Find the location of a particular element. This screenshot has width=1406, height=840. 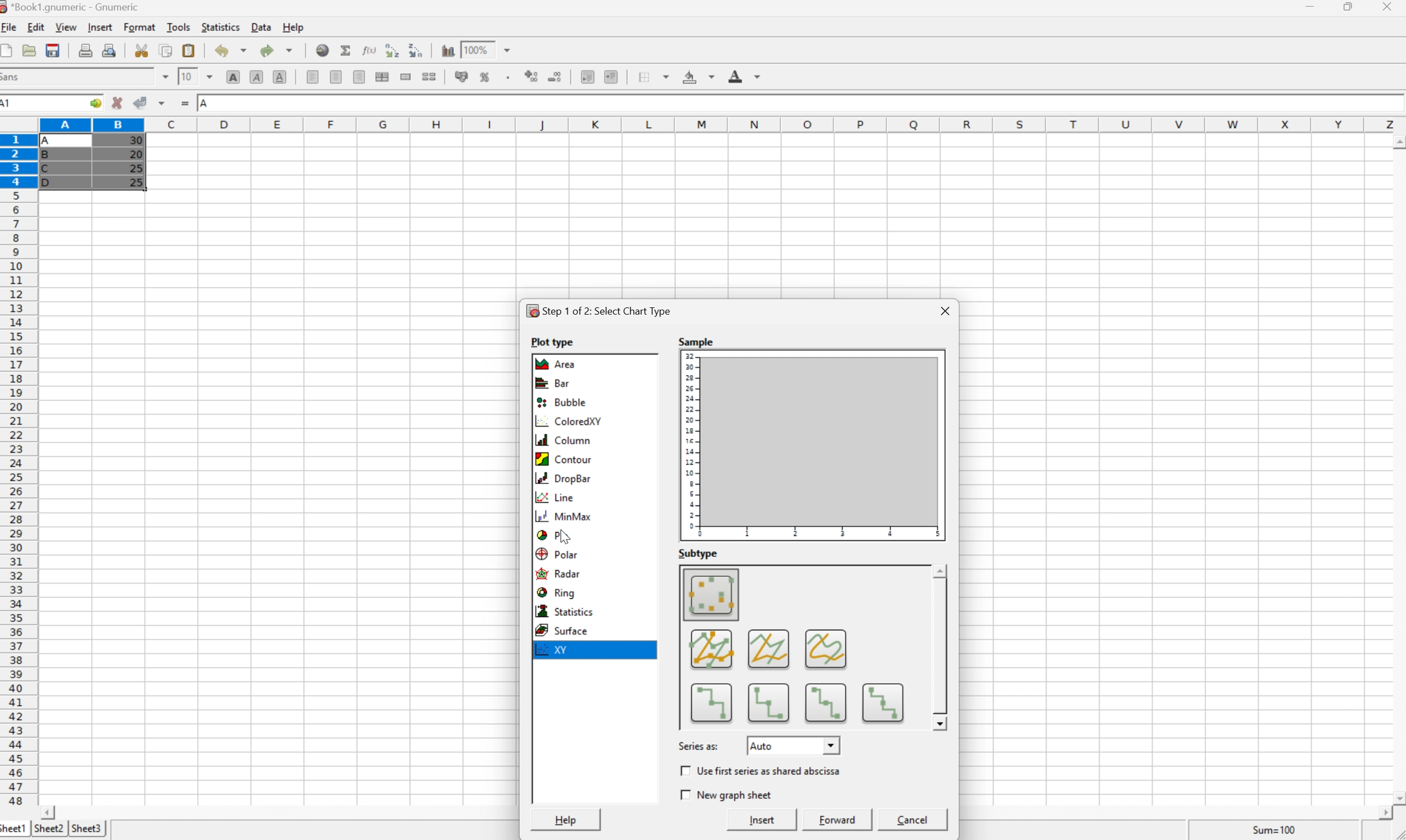

Align Left is located at coordinates (313, 78).